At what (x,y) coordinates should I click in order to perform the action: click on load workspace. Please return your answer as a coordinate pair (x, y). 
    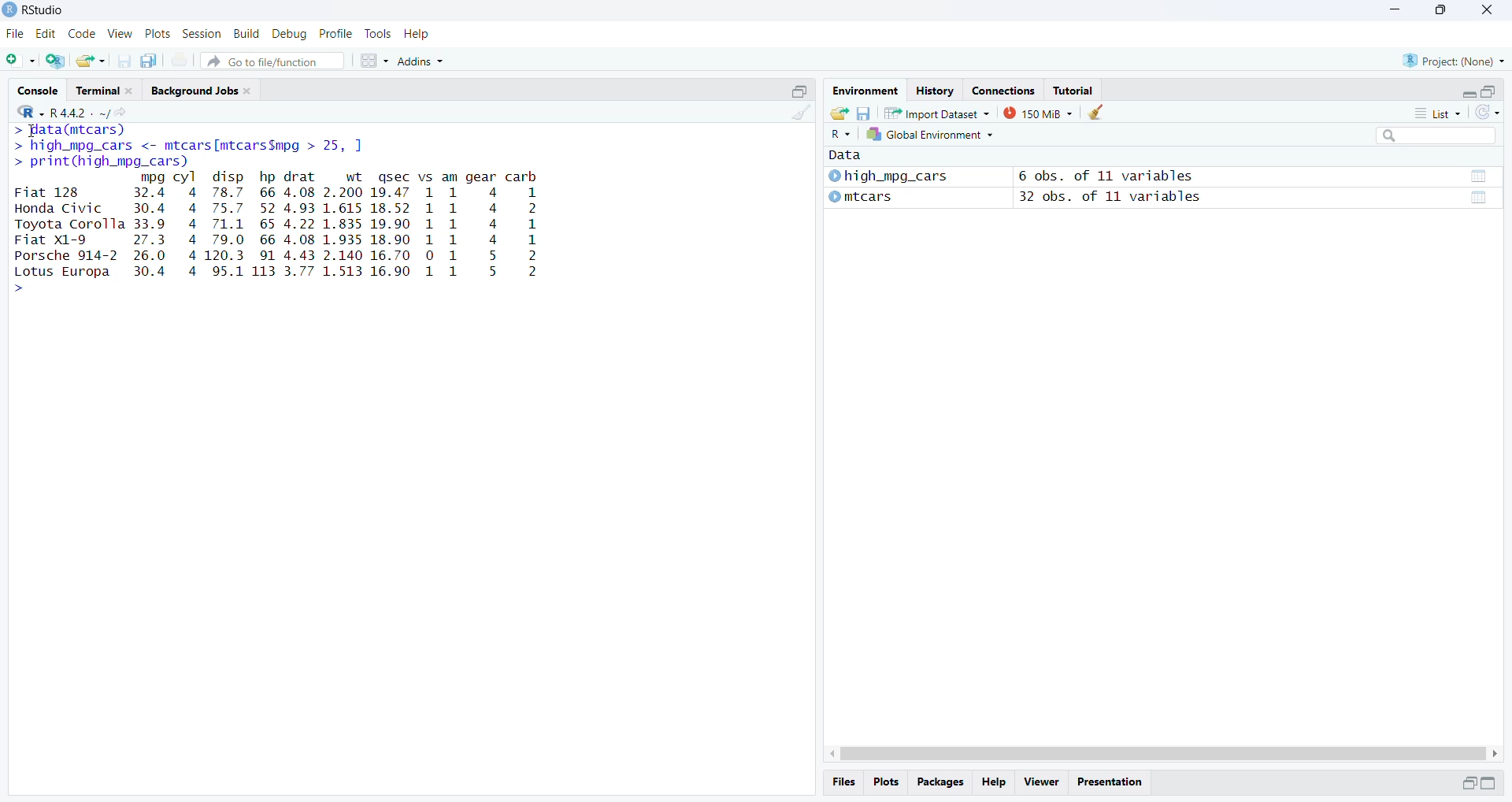
    Looking at the image, I should click on (839, 113).